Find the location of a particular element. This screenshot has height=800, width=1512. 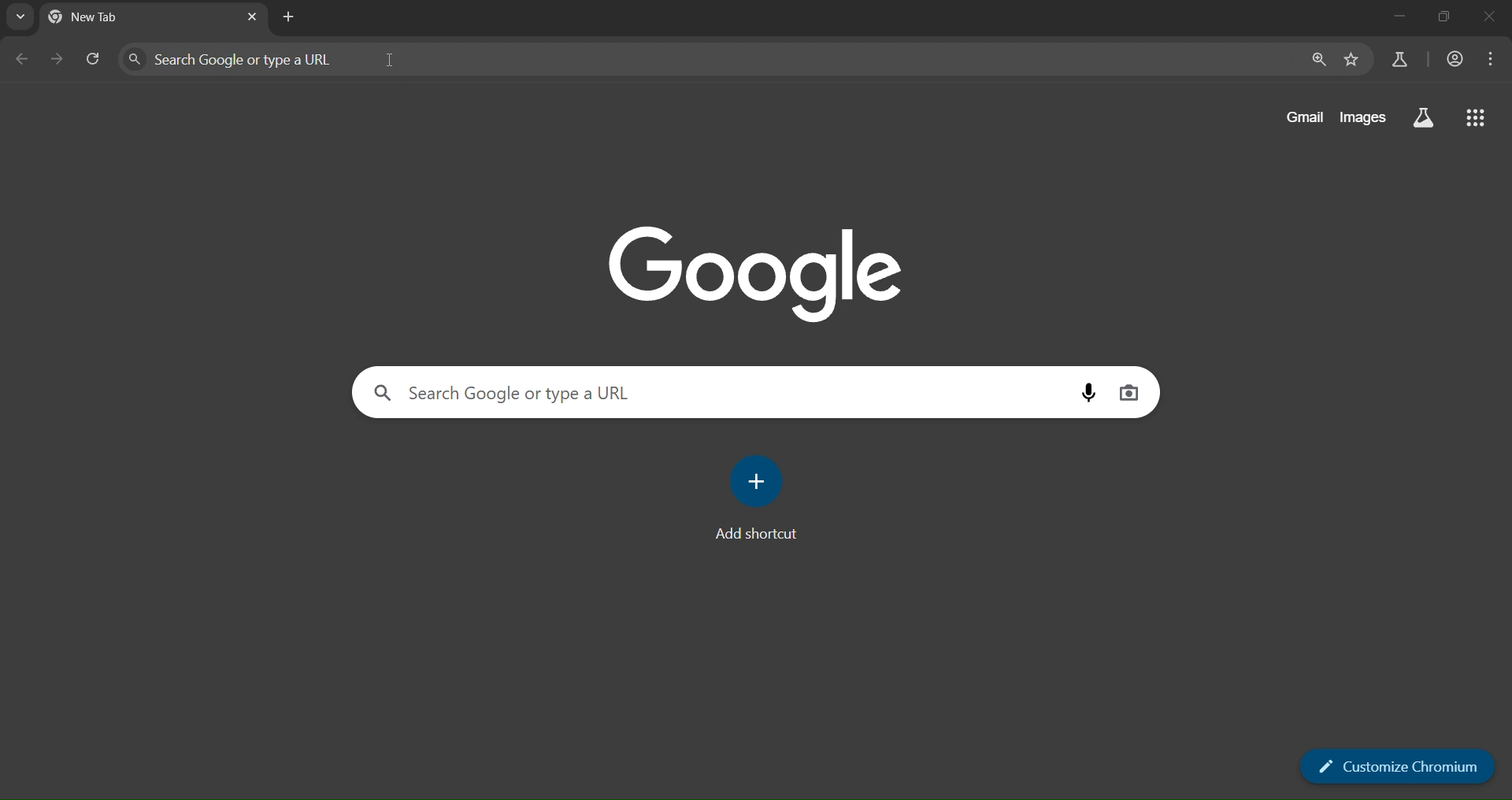

add shortcut is located at coordinates (762, 499).